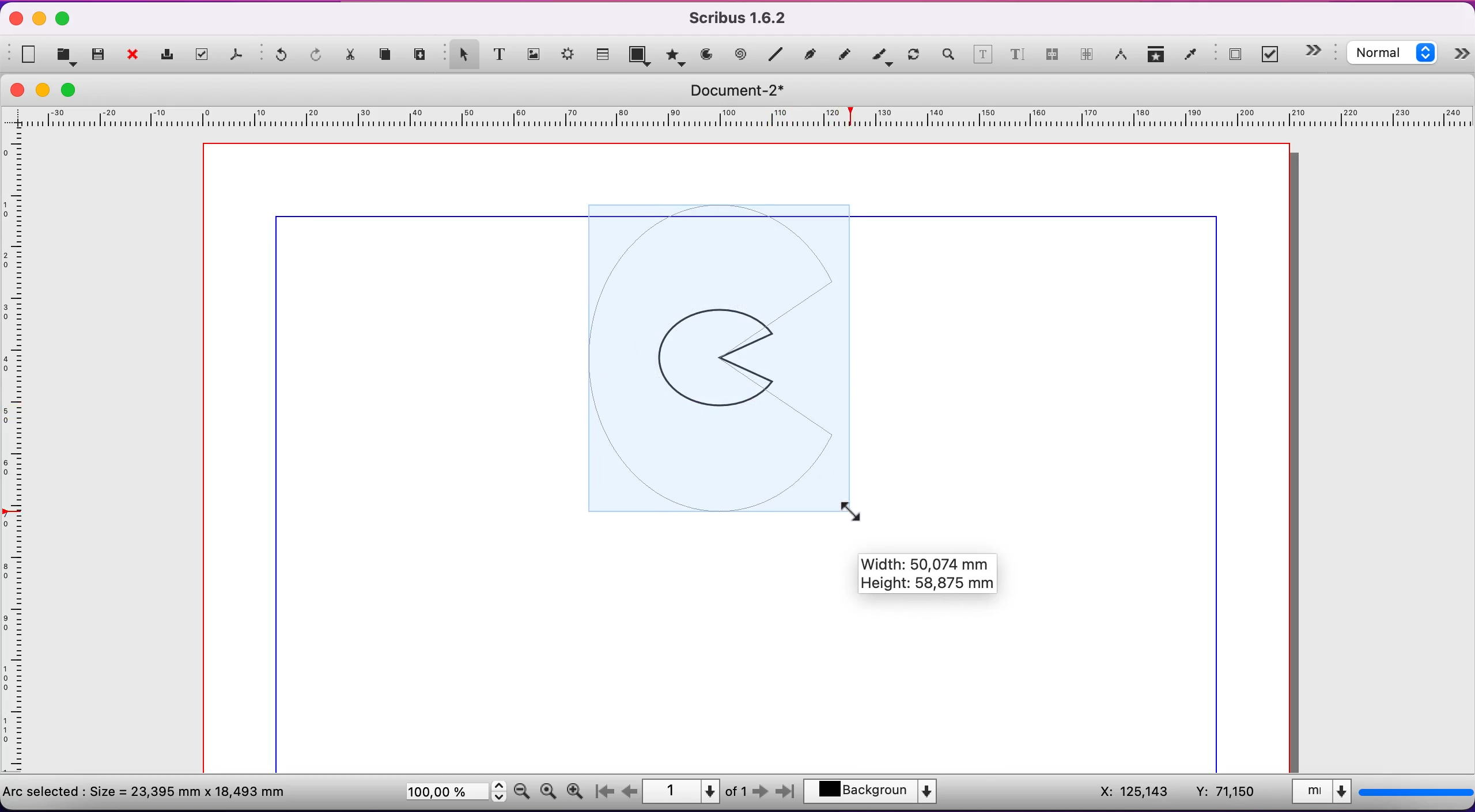  Describe the element at coordinates (706, 55) in the screenshot. I see `arc` at that location.